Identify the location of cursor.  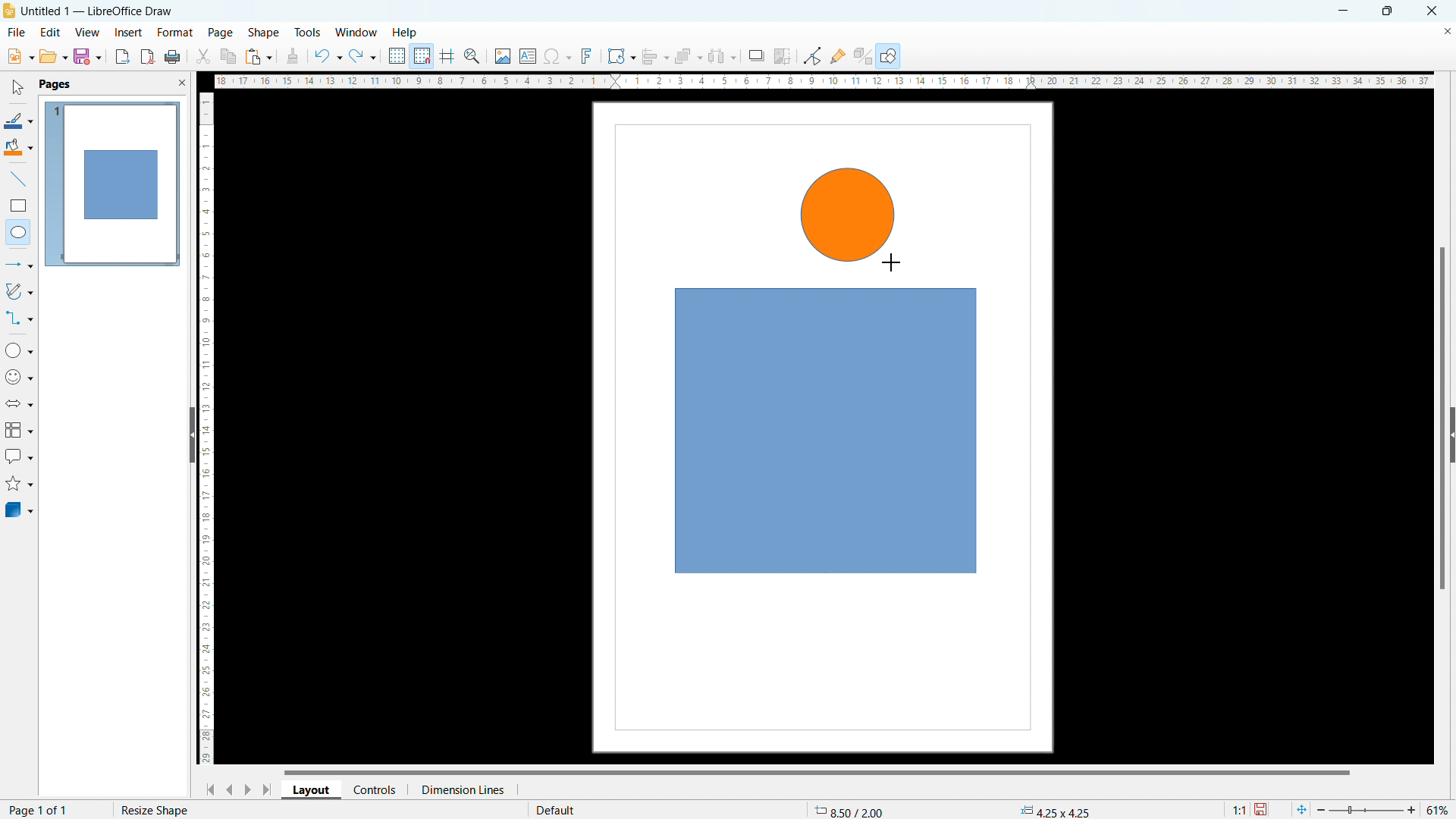
(892, 263).